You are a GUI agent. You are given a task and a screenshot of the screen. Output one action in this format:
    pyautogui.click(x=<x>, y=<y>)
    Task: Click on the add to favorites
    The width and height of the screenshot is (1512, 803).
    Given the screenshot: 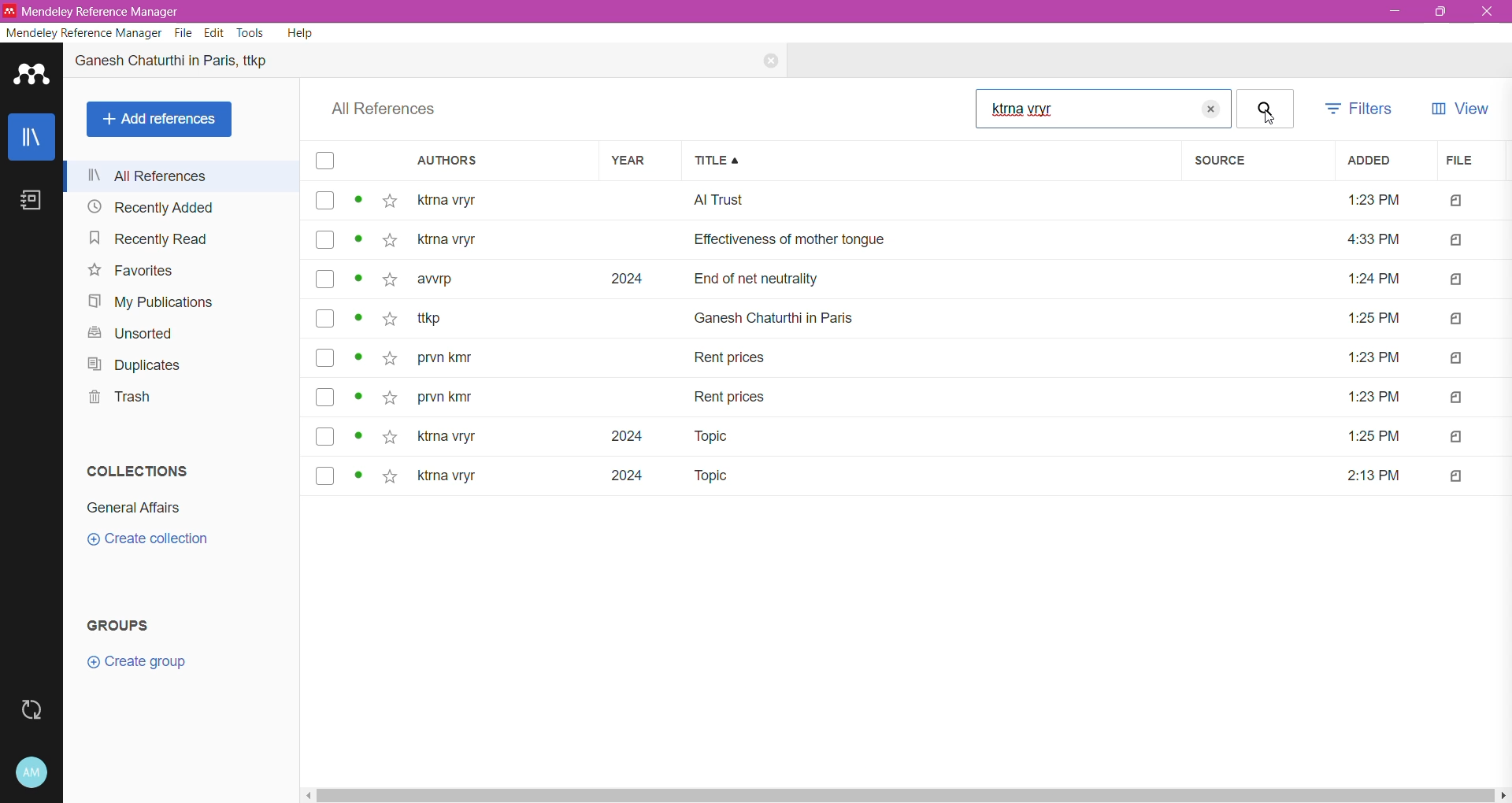 What is the action you would take?
    pyautogui.click(x=391, y=279)
    